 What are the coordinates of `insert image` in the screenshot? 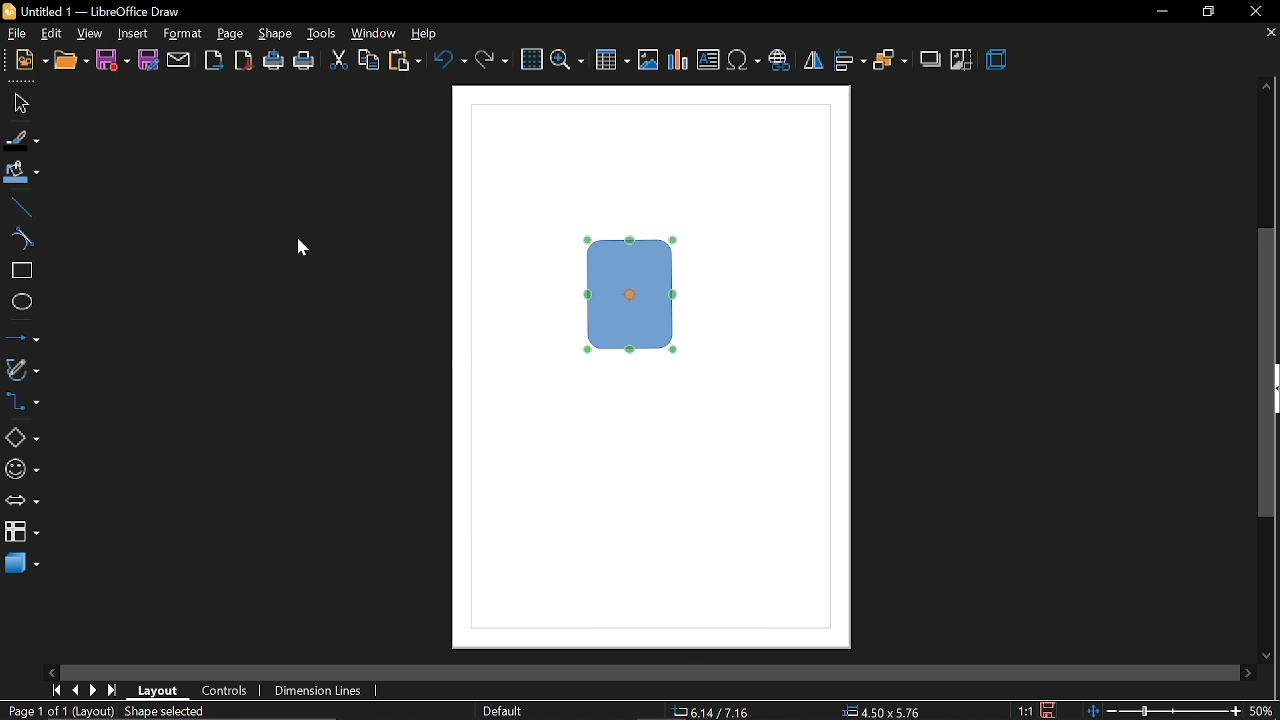 It's located at (646, 61).